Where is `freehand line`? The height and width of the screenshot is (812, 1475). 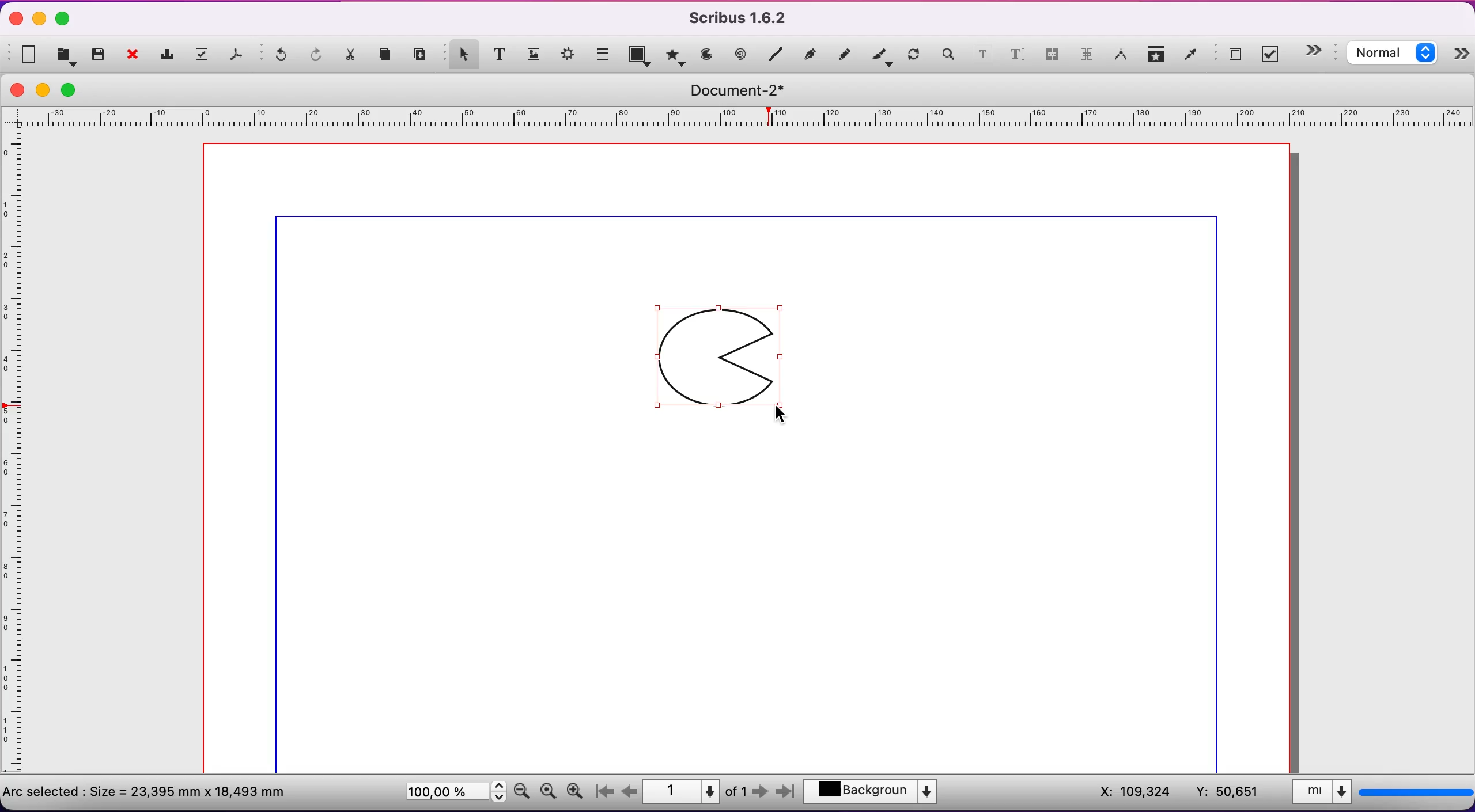
freehand line is located at coordinates (845, 54).